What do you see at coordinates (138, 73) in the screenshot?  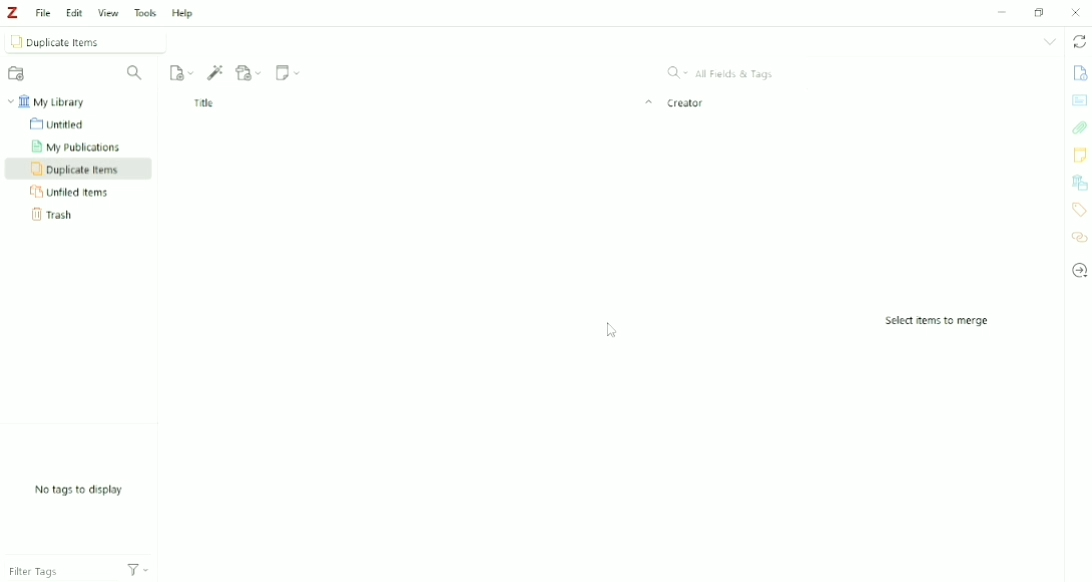 I see `Filter Collections` at bounding box center [138, 73].